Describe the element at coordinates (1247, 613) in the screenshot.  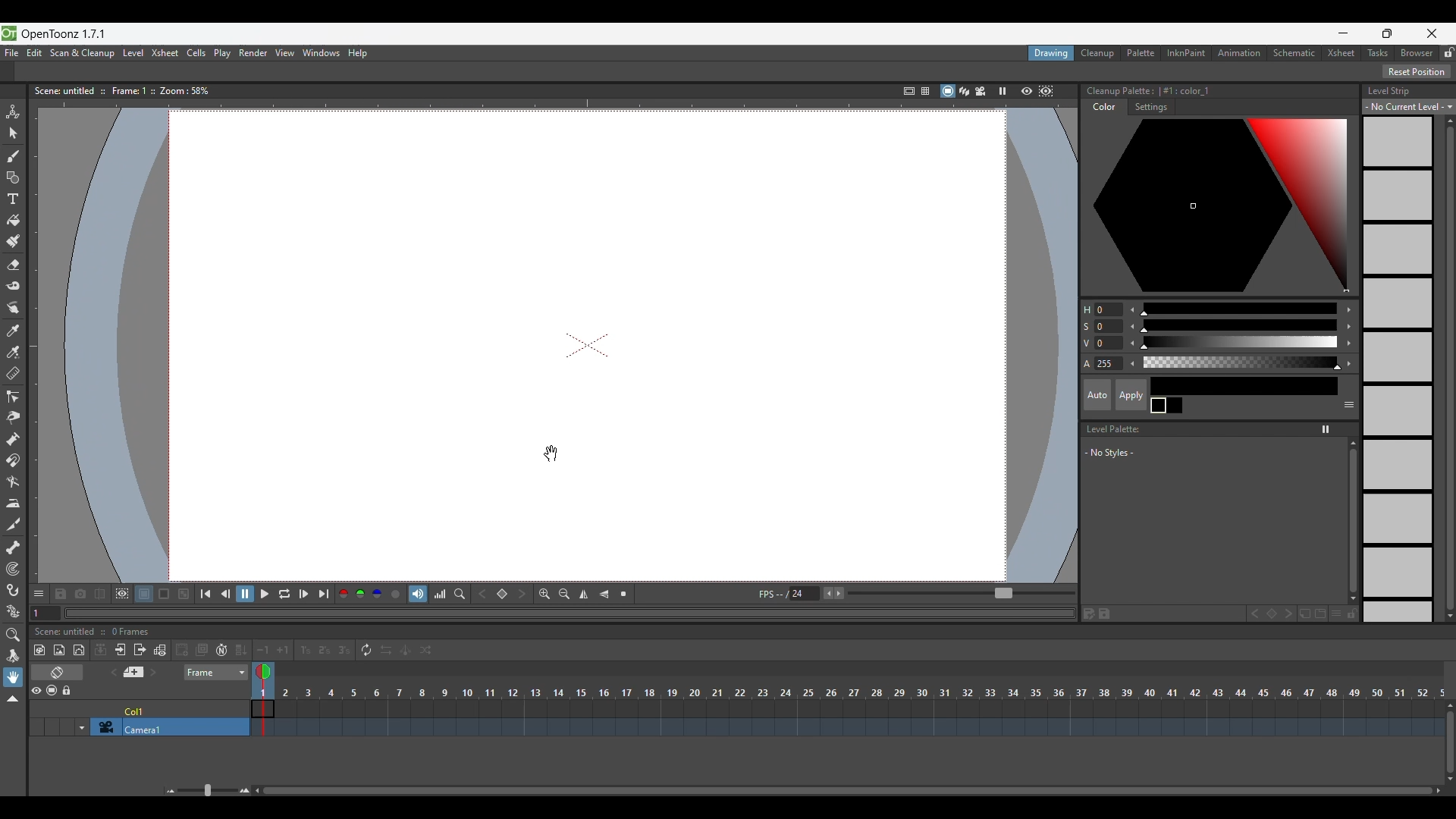
I see `Previous key` at that location.